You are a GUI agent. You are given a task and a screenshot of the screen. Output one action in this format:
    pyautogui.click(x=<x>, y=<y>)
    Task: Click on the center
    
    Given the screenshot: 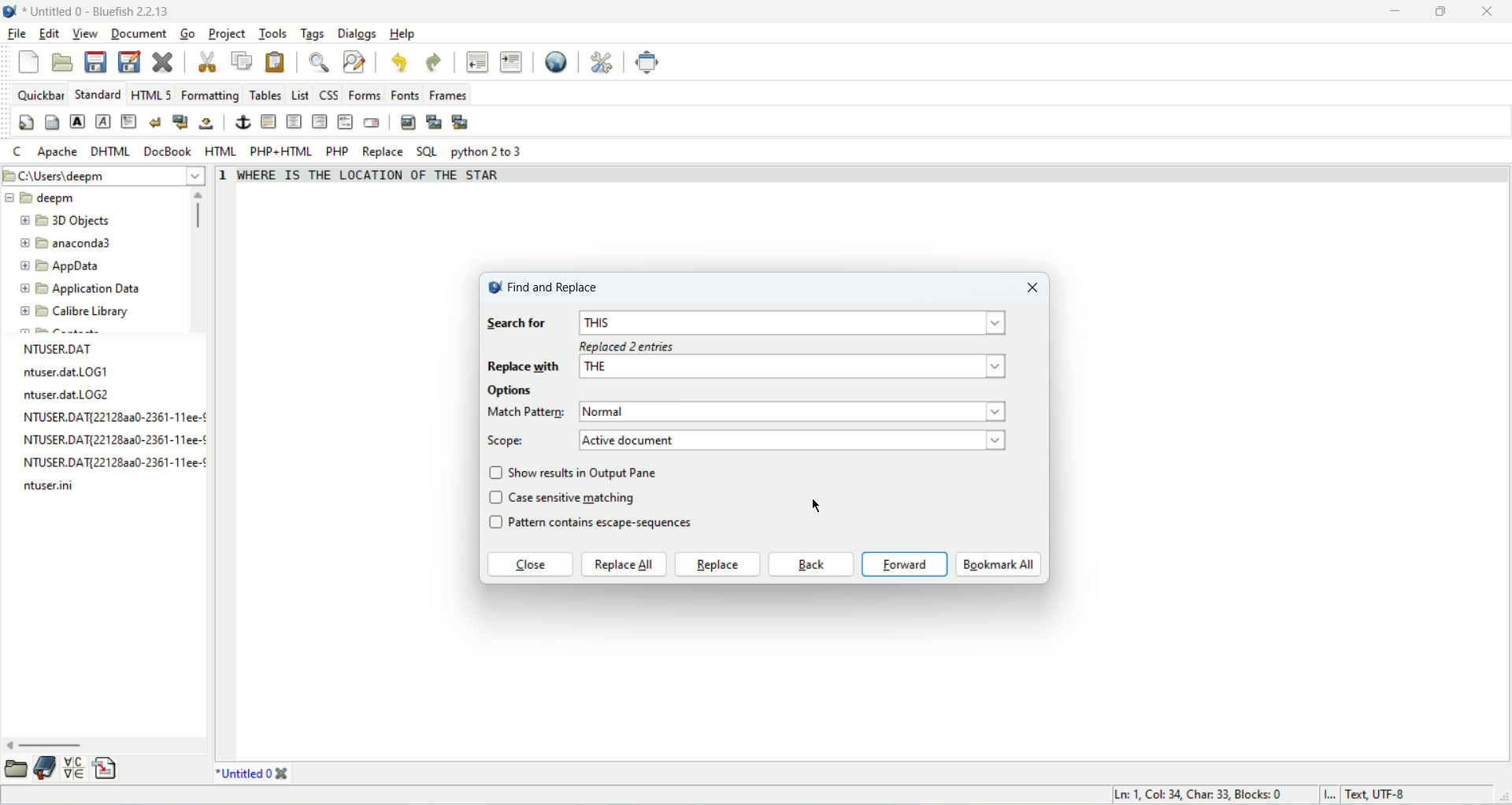 What is the action you would take?
    pyautogui.click(x=294, y=122)
    